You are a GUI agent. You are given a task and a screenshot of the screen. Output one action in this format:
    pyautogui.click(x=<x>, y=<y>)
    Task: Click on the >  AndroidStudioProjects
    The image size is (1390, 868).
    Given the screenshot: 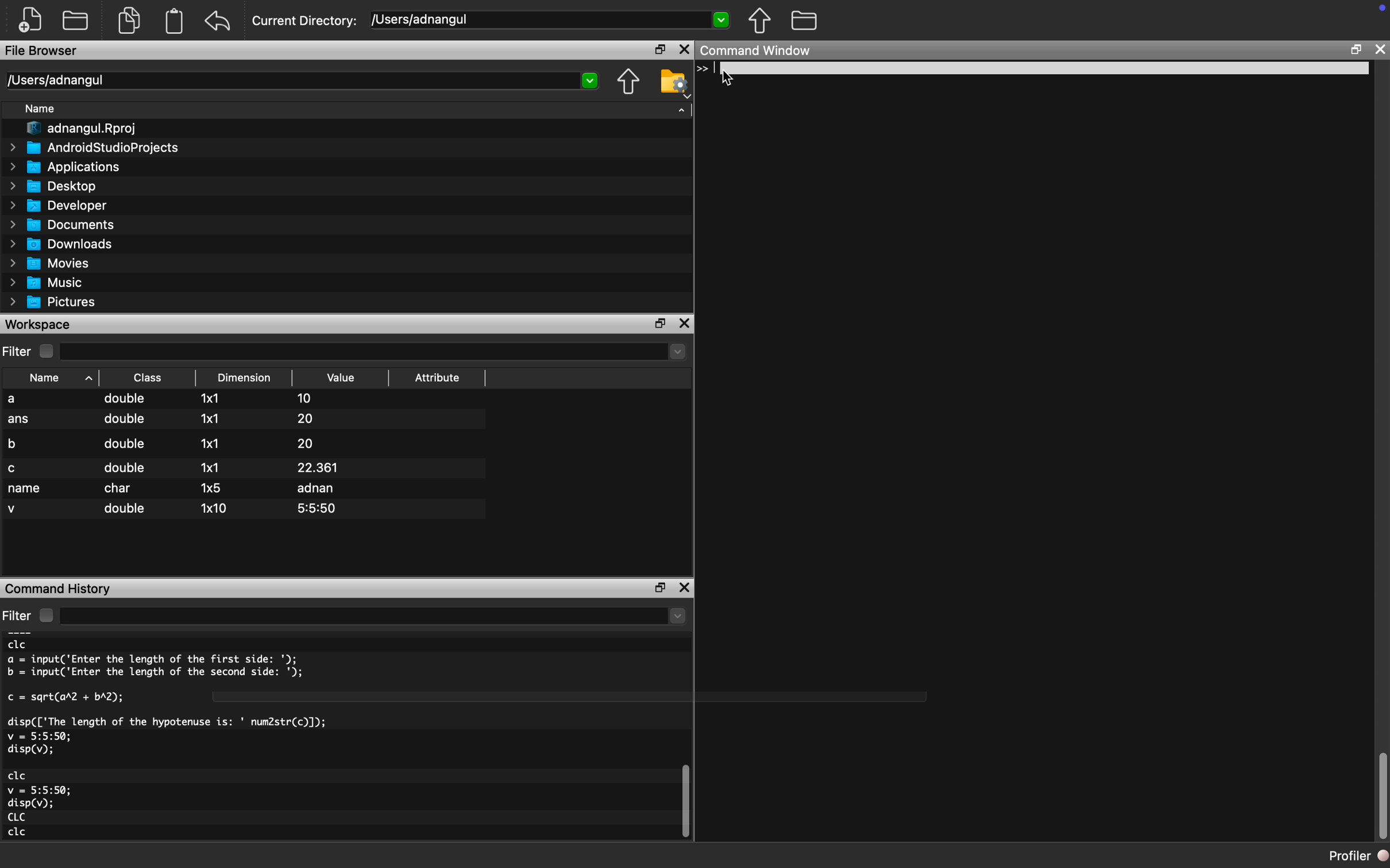 What is the action you would take?
    pyautogui.click(x=94, y=149)
    